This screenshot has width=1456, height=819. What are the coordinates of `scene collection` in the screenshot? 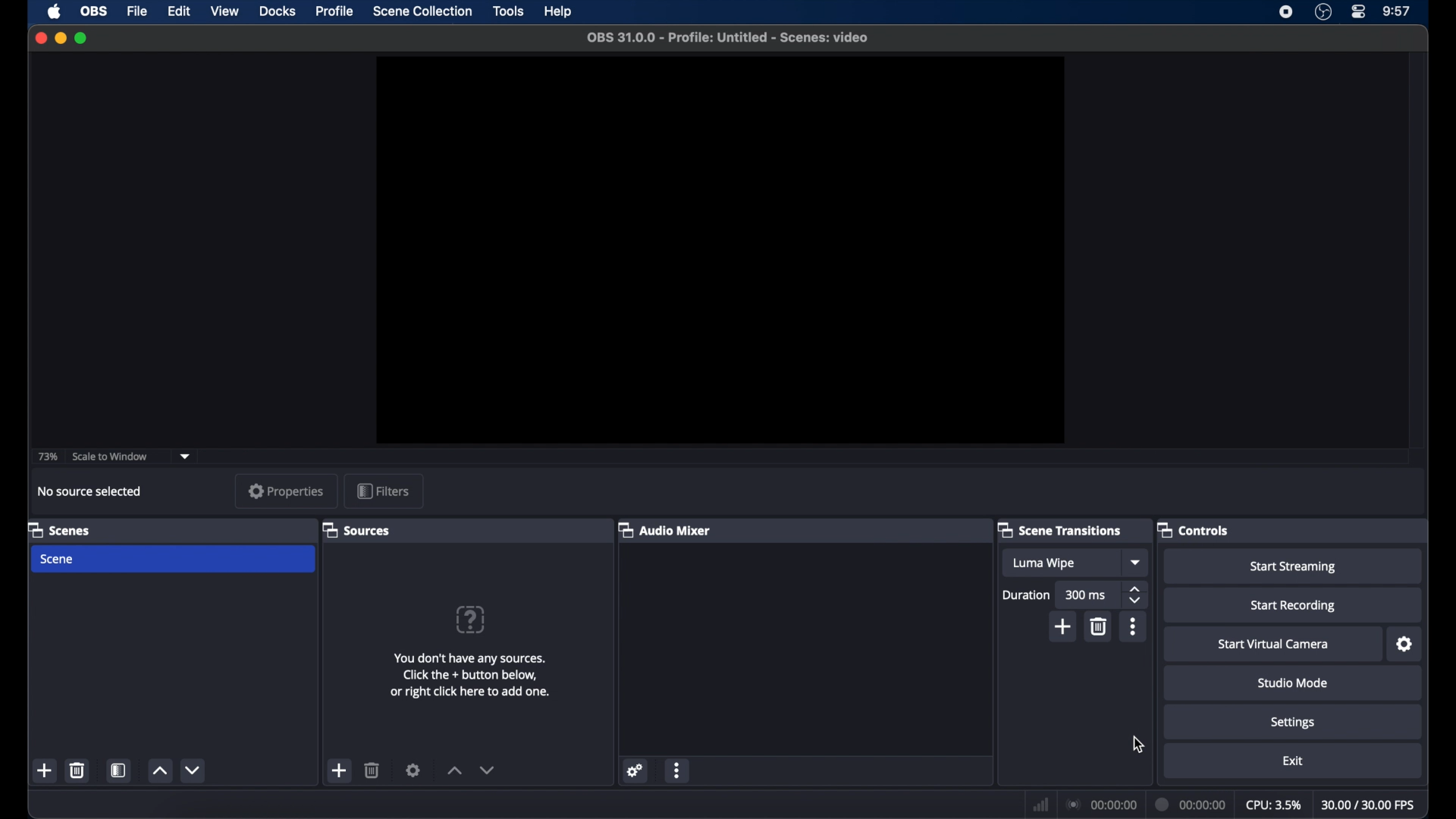 It's located at (424, 11).